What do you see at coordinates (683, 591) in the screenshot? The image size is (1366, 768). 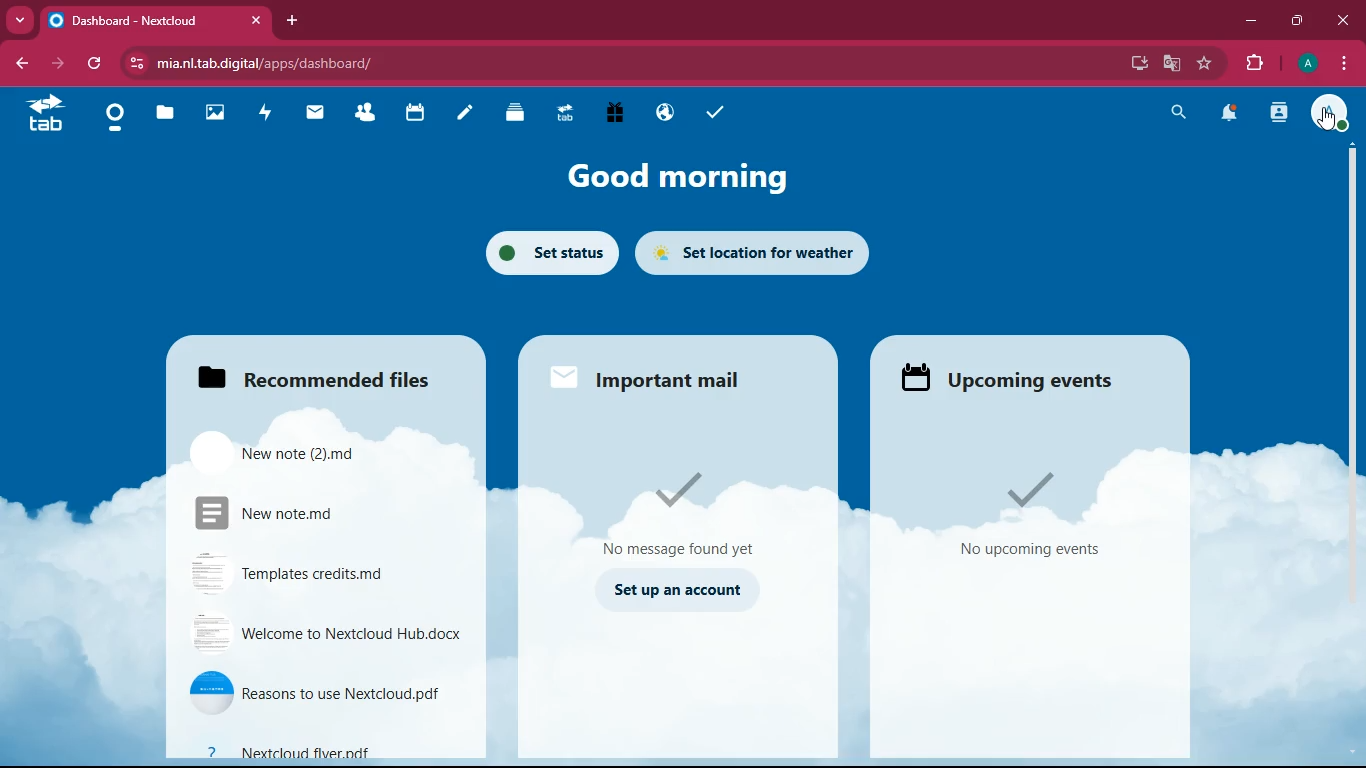 I see `set up an account` at bounding box center [683, 591].